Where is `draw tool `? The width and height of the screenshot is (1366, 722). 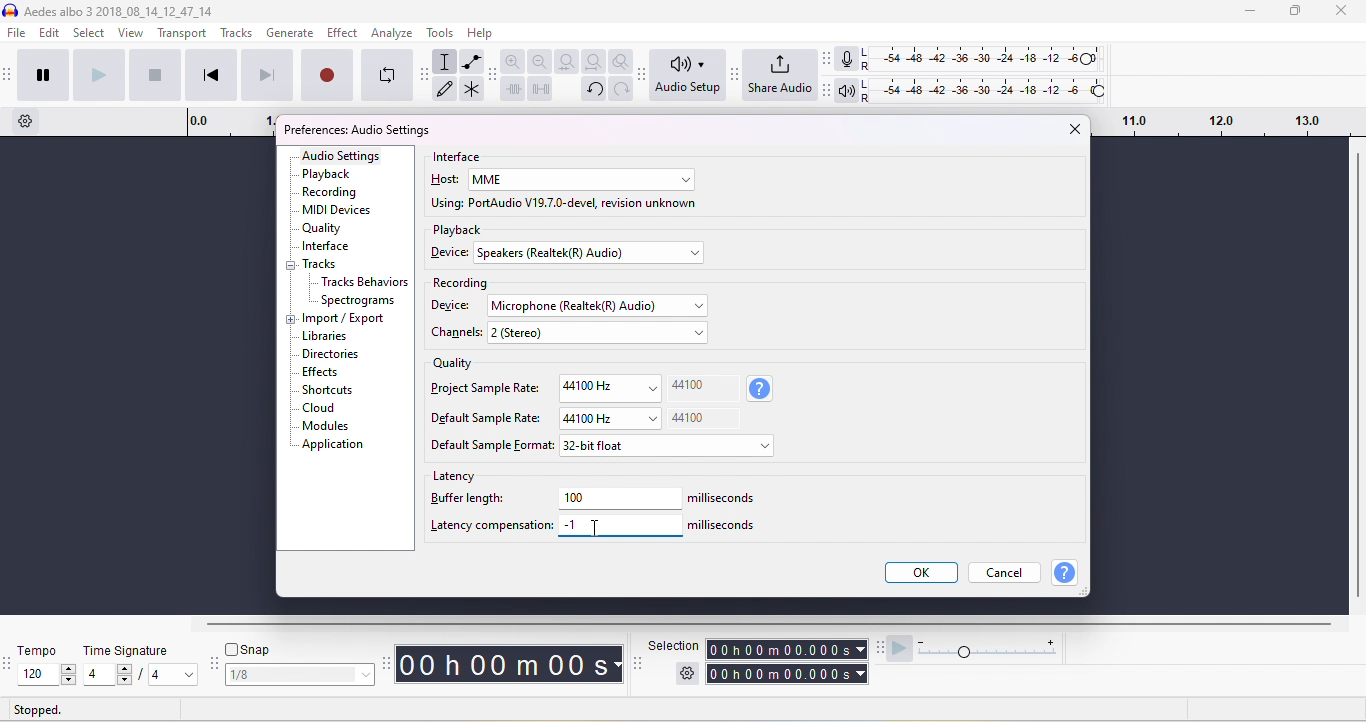
draw tool  is located at coordinates (445, 87).